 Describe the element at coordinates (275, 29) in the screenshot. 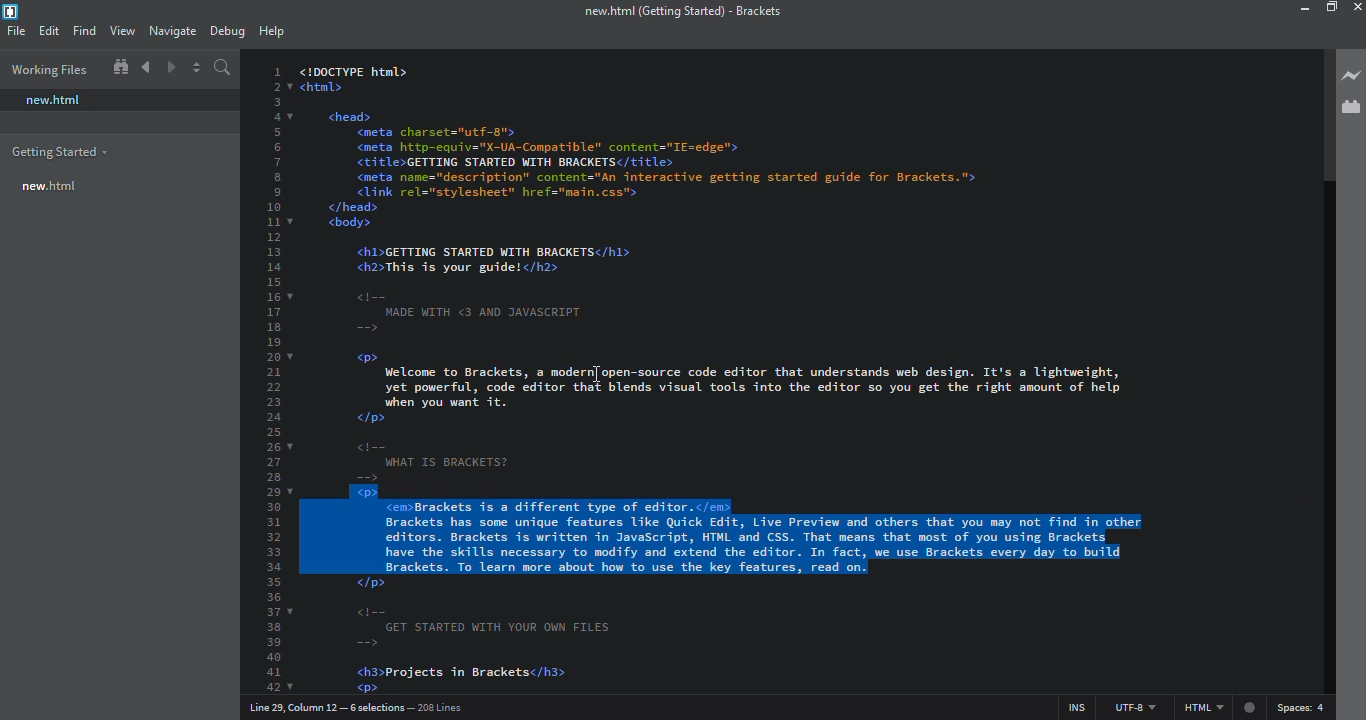

I see `help` at that location.